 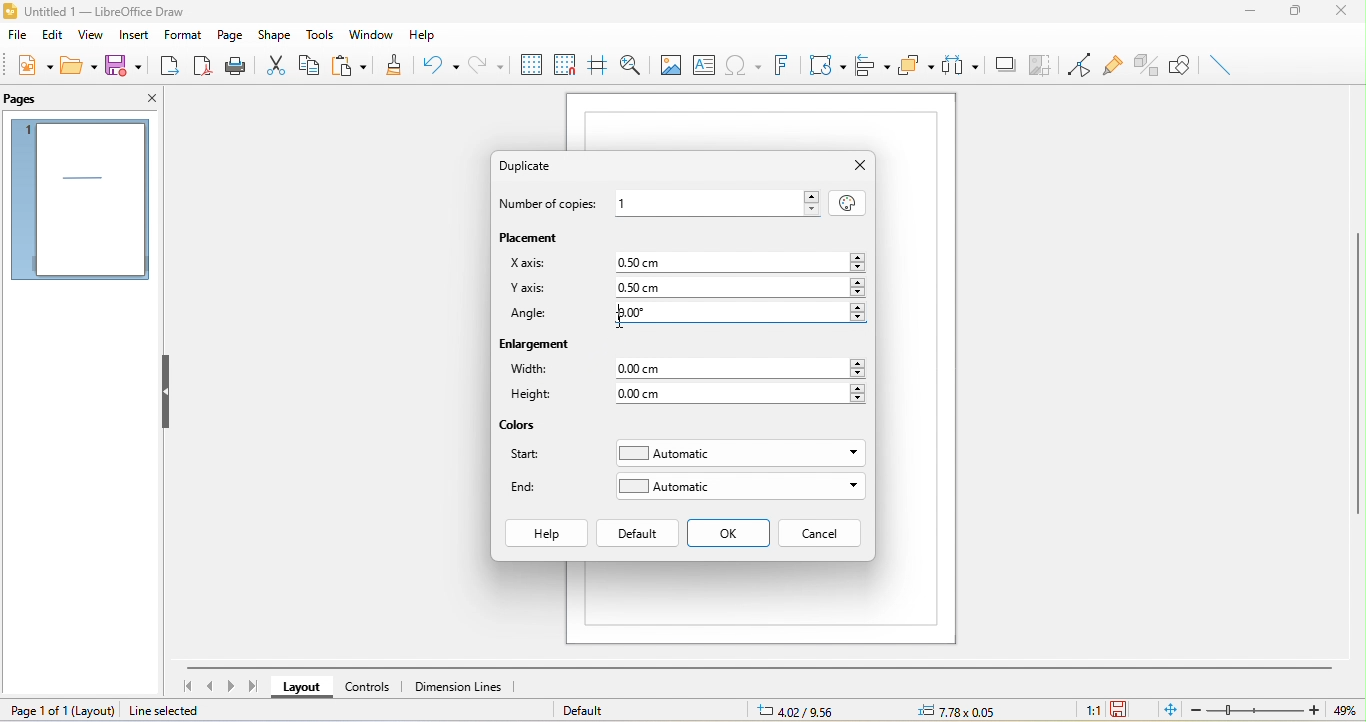 What do you see at coordinates (1181, 66) in the screenshot?
I see `show draw function` at bounding box center [1181, 66].